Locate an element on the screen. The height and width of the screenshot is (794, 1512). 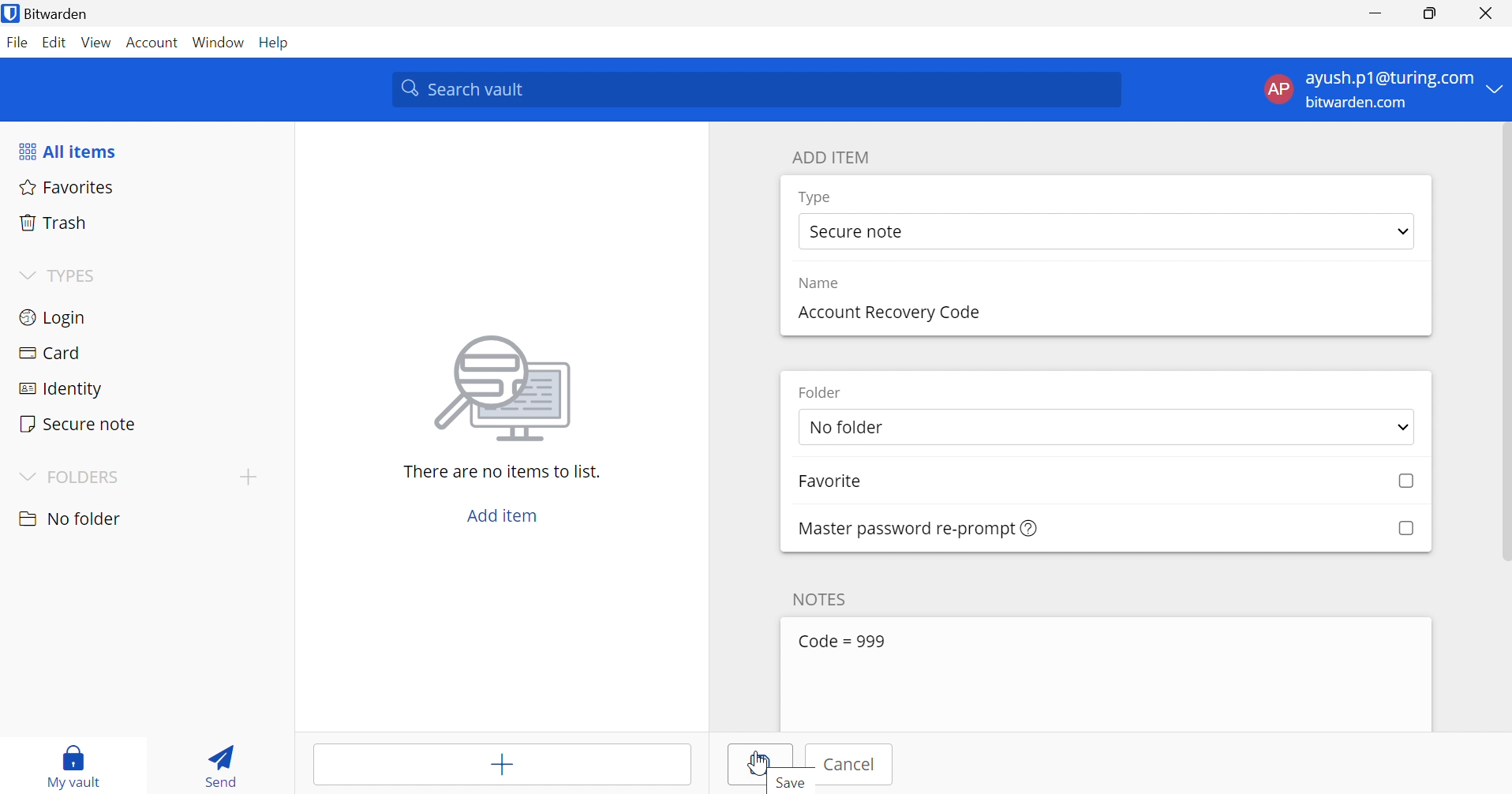
Edit is located at coordinates (54, 41).